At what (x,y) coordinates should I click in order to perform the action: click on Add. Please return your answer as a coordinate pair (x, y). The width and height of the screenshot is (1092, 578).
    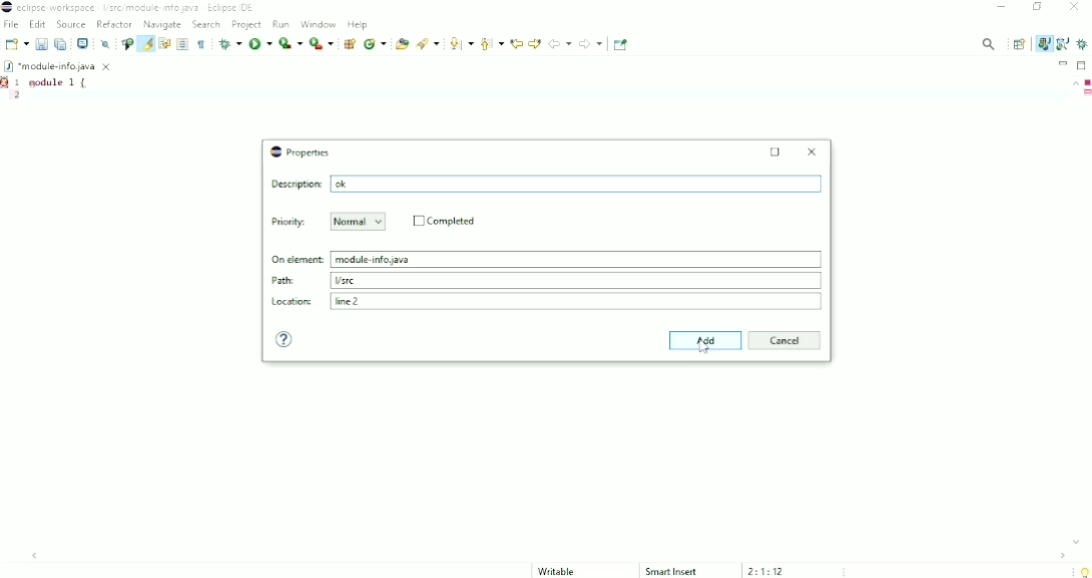
    Looking at the image, I should click on (704, 341).